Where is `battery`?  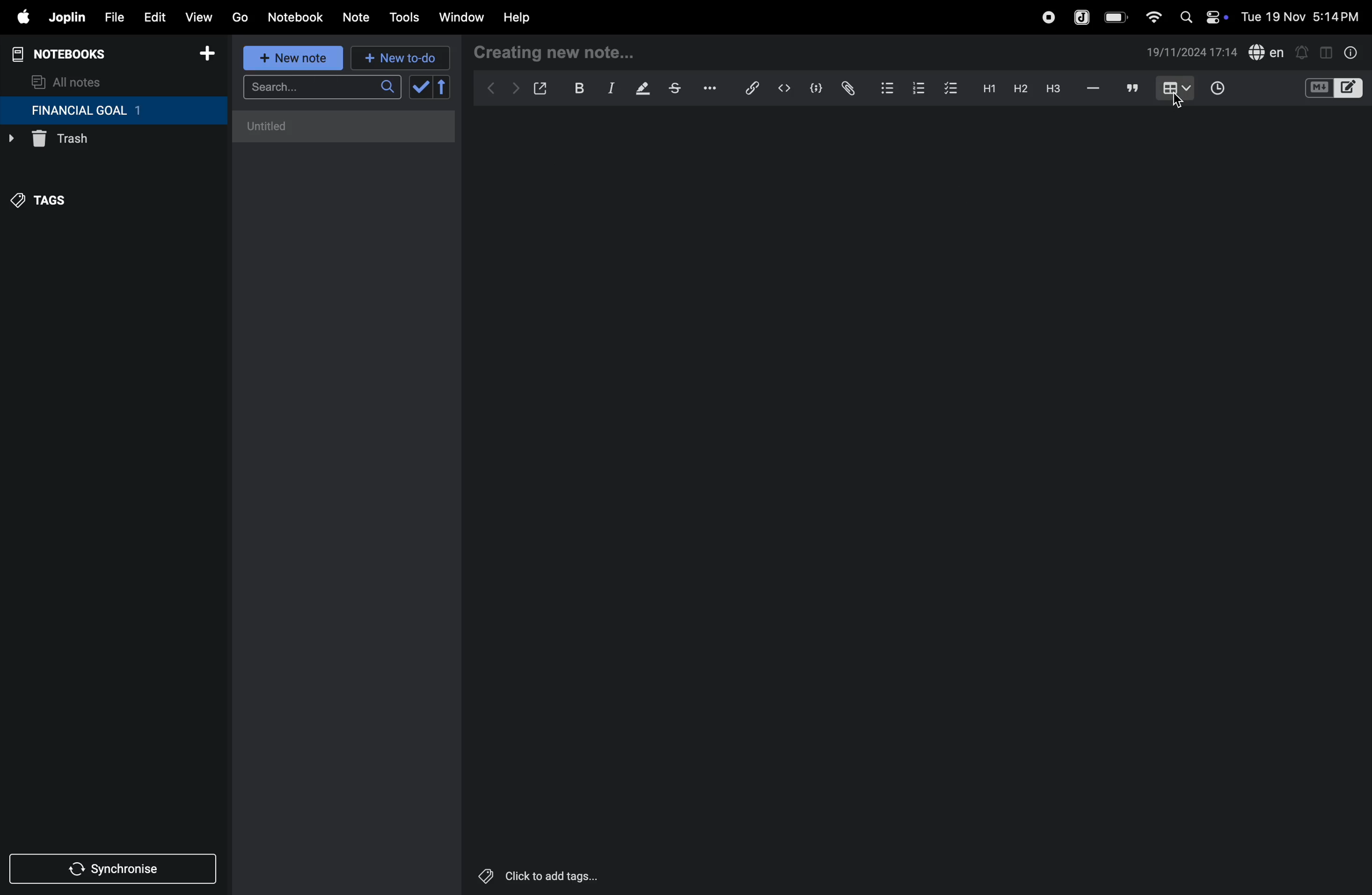 battery is located at coordinates (1117, 17).